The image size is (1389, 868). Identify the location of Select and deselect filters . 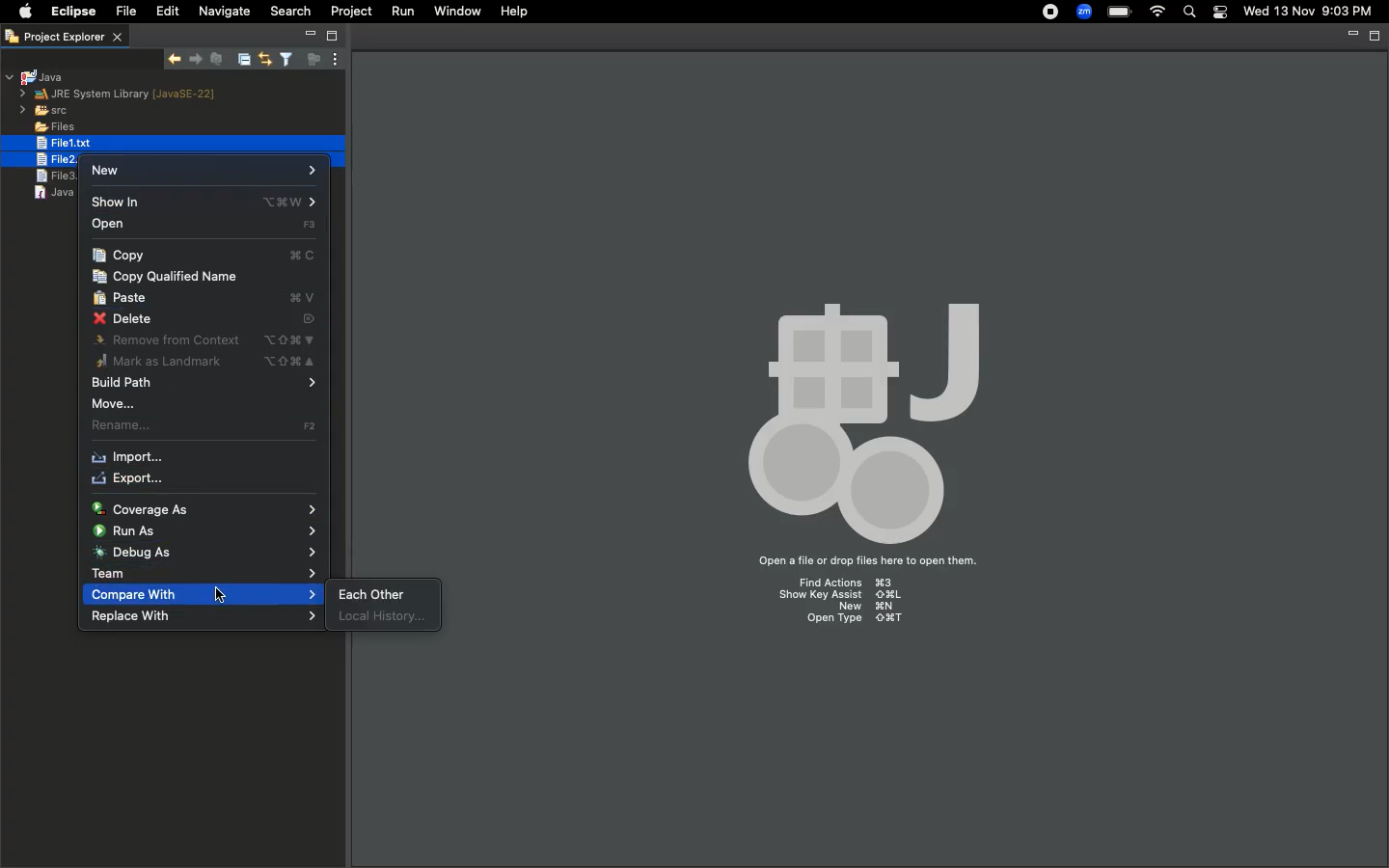
(285, 60).